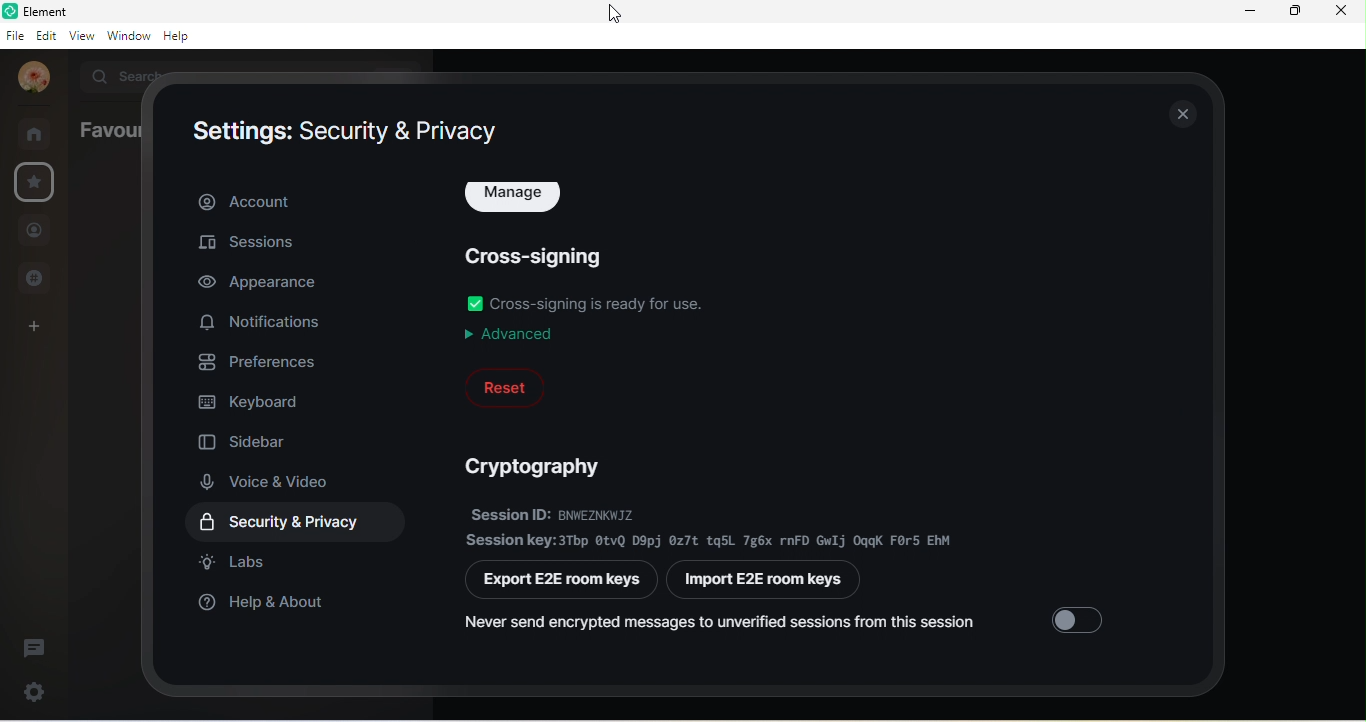 The width and height of the screenshot is (1366, 722). Describe the element at coordinates (560, 582) in the screenshot. I see `Export E2E room keys` at that location.